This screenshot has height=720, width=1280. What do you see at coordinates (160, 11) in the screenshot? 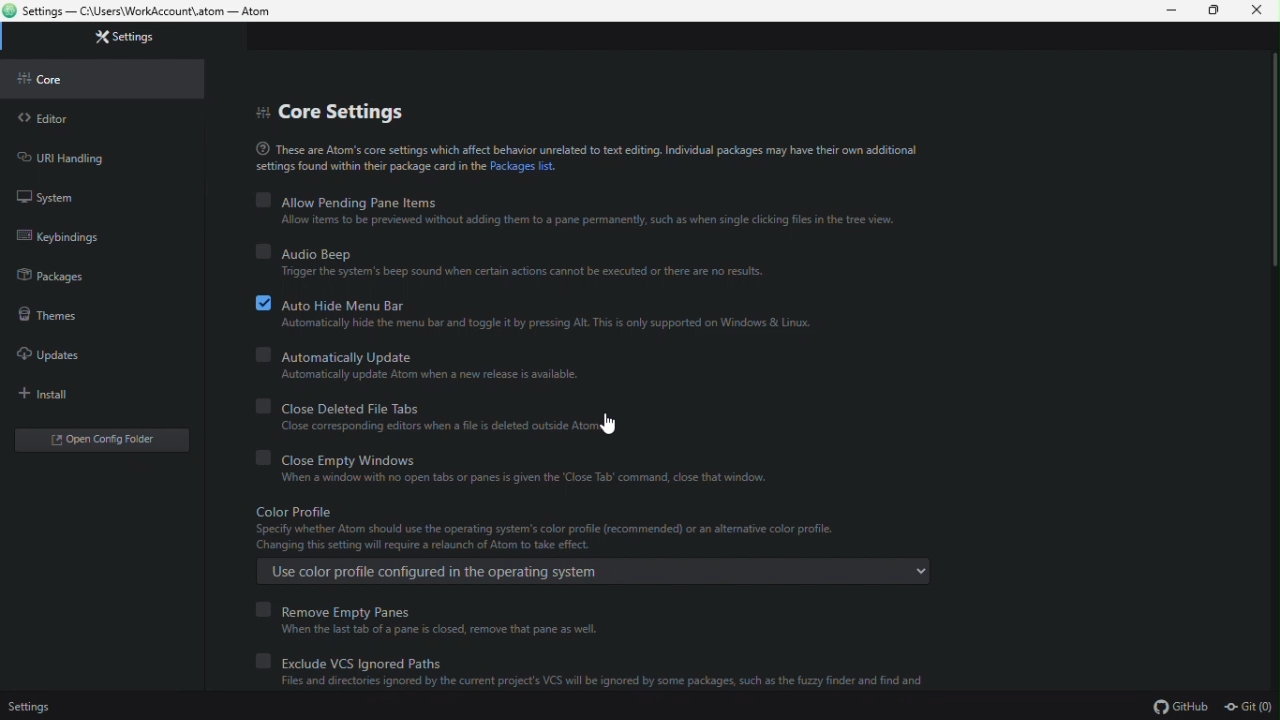
I see `Settings - C:\users\work\account\atom - Atom` at bounding box center [160, 11].